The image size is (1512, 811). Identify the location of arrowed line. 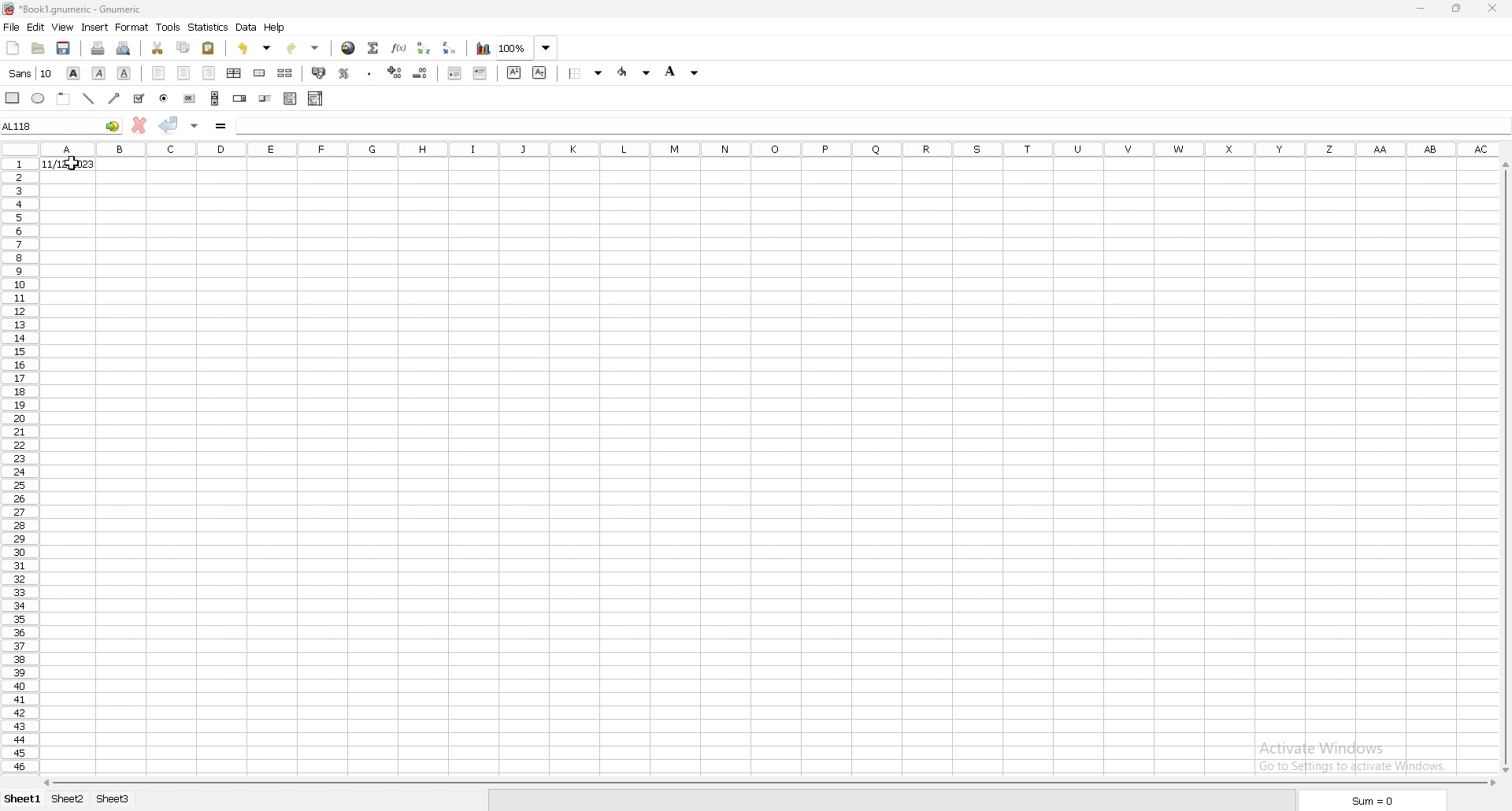
(116, 98).